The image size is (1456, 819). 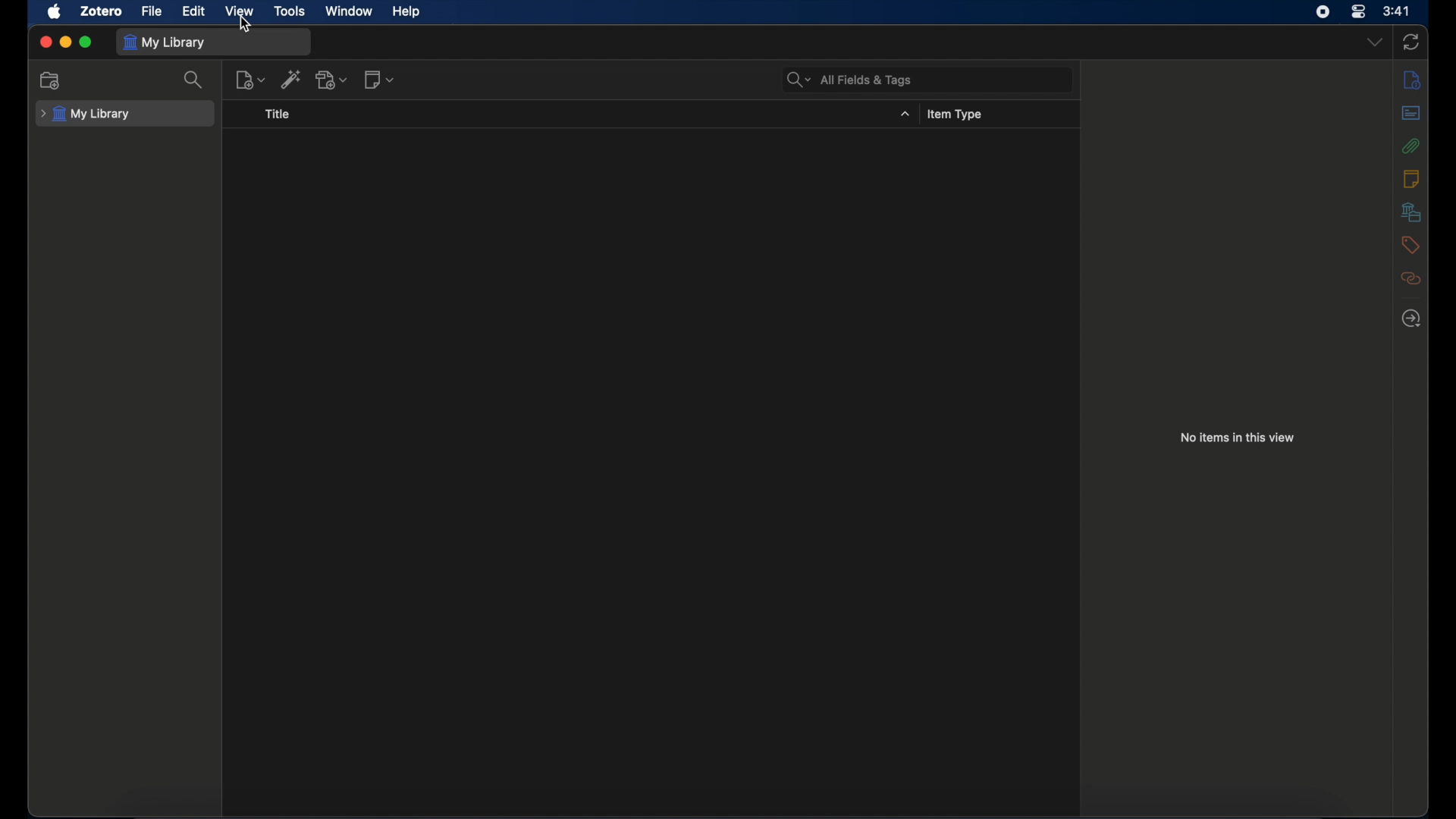 I want to click on tools, so click(x=290, y=11).